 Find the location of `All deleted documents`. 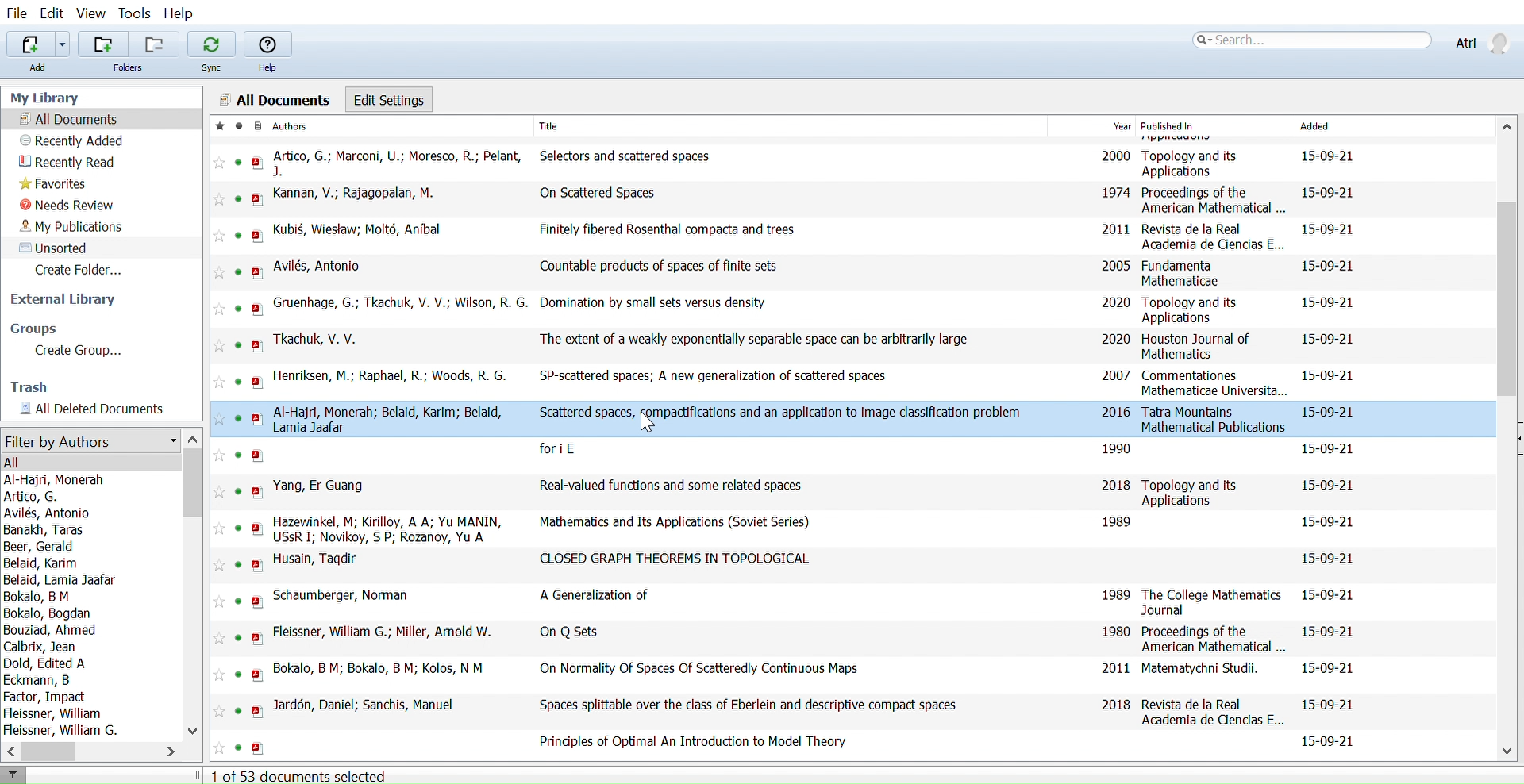

All deleted documents is located at coordinates (87, 408).